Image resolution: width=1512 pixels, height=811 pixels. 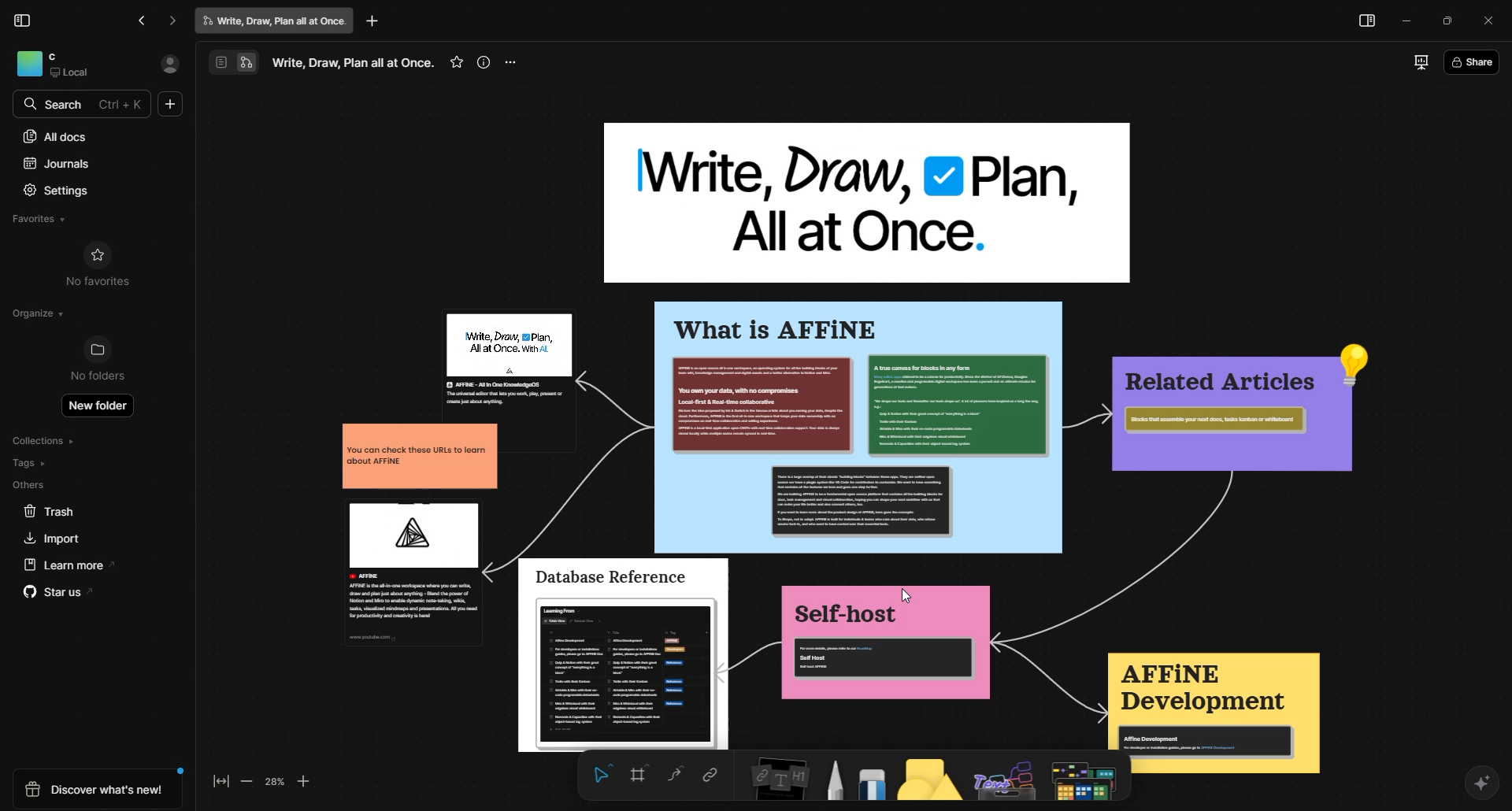 What do you see at coordinates (667, 772) in the screenshot?
I see `join` at bounding box center [667, 772].